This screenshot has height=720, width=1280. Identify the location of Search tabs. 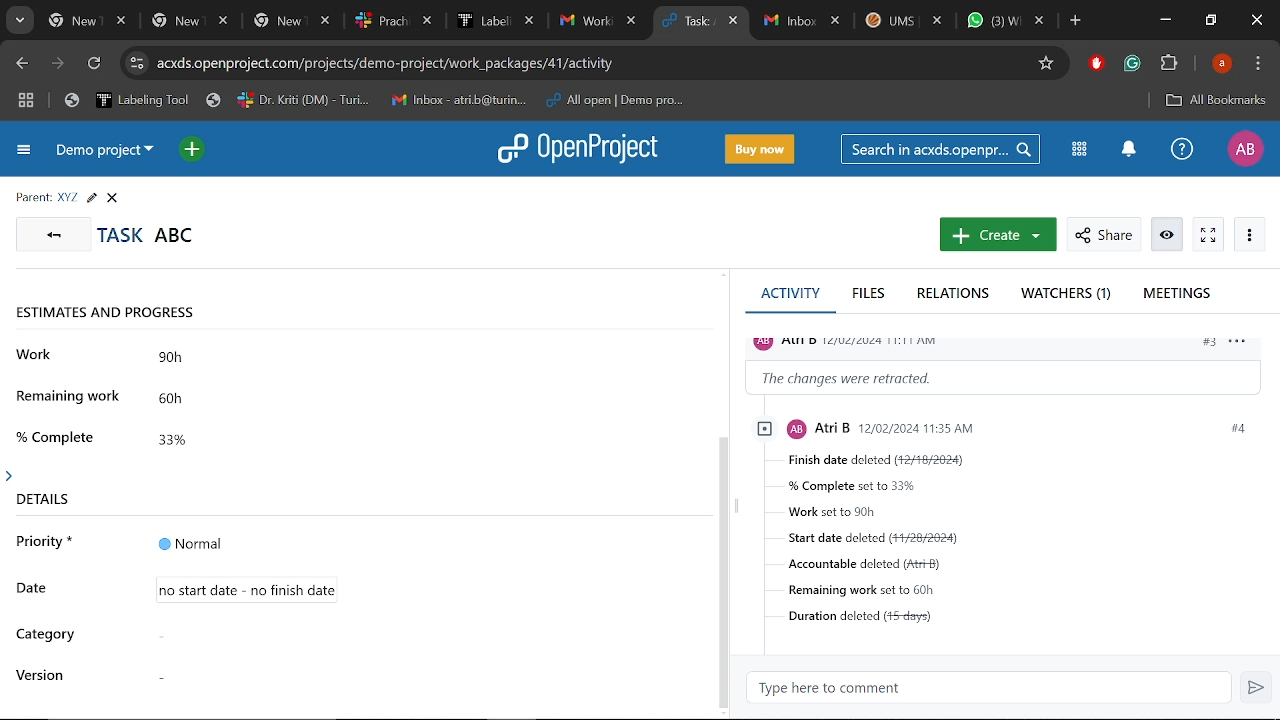
(18, 21).